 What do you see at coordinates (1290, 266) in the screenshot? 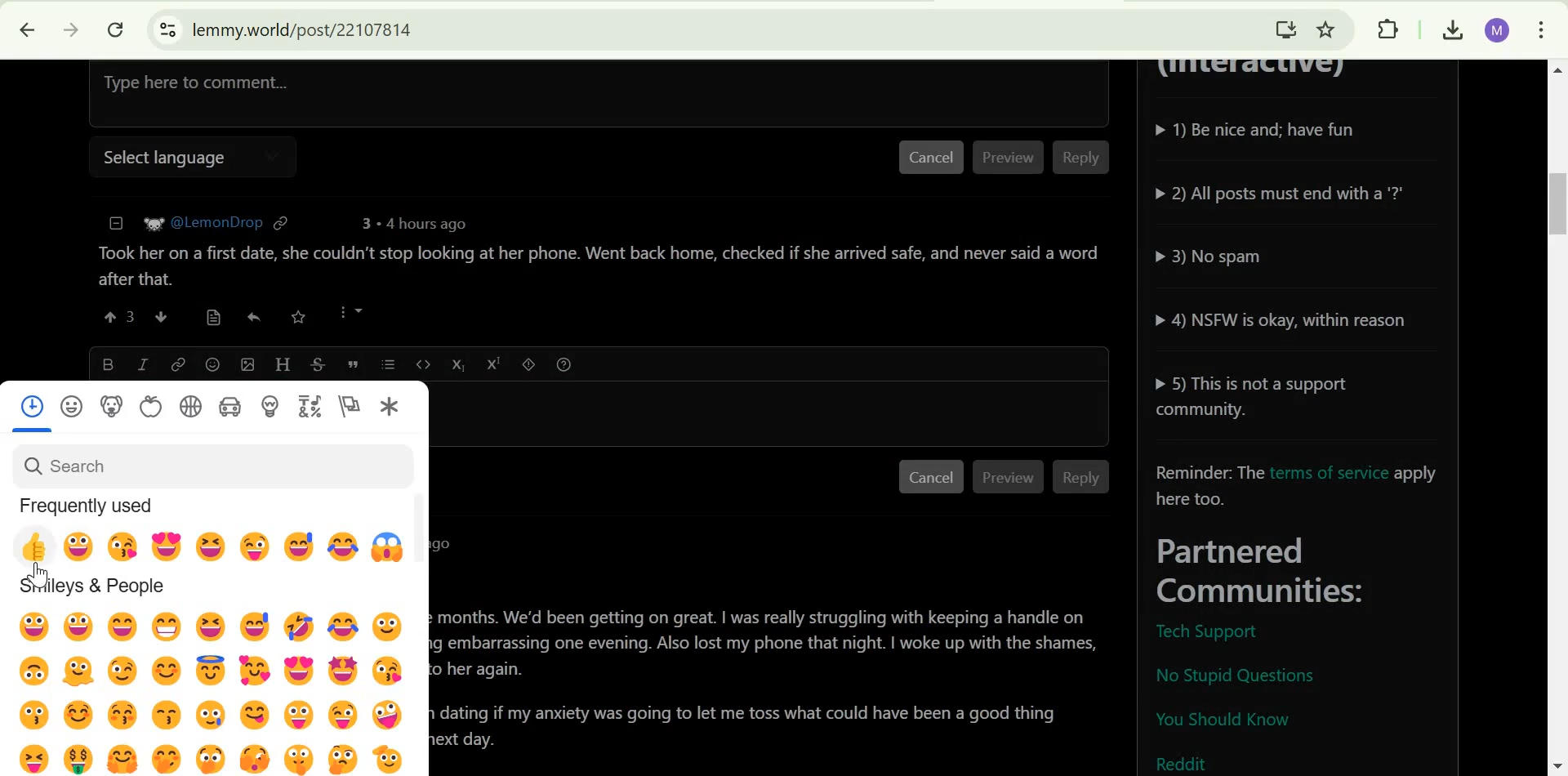
I see `community guidelines` at bounding box center [1290, 266].